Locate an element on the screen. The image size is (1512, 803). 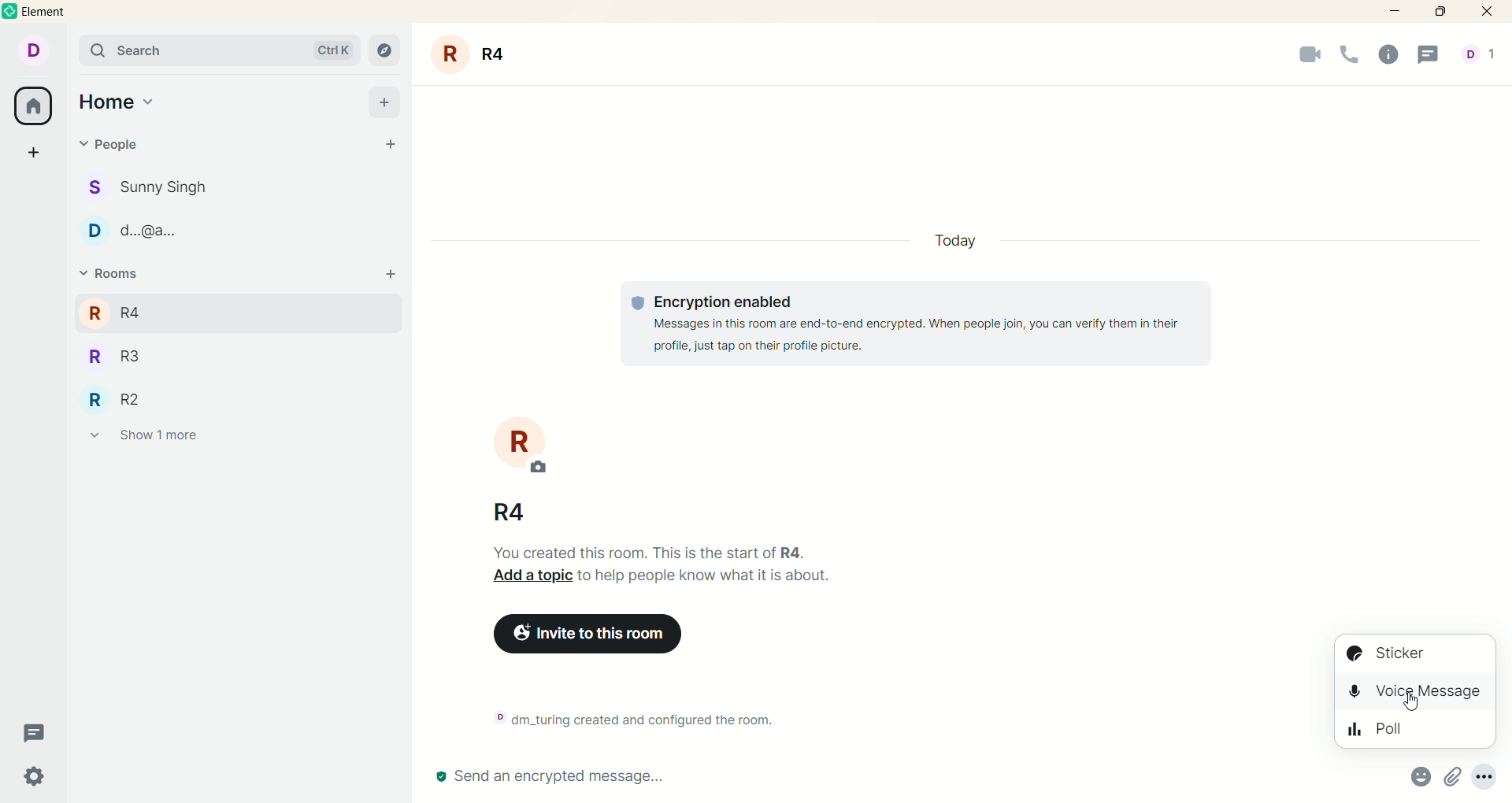
show 1 more is located at coordinates (144, 439).